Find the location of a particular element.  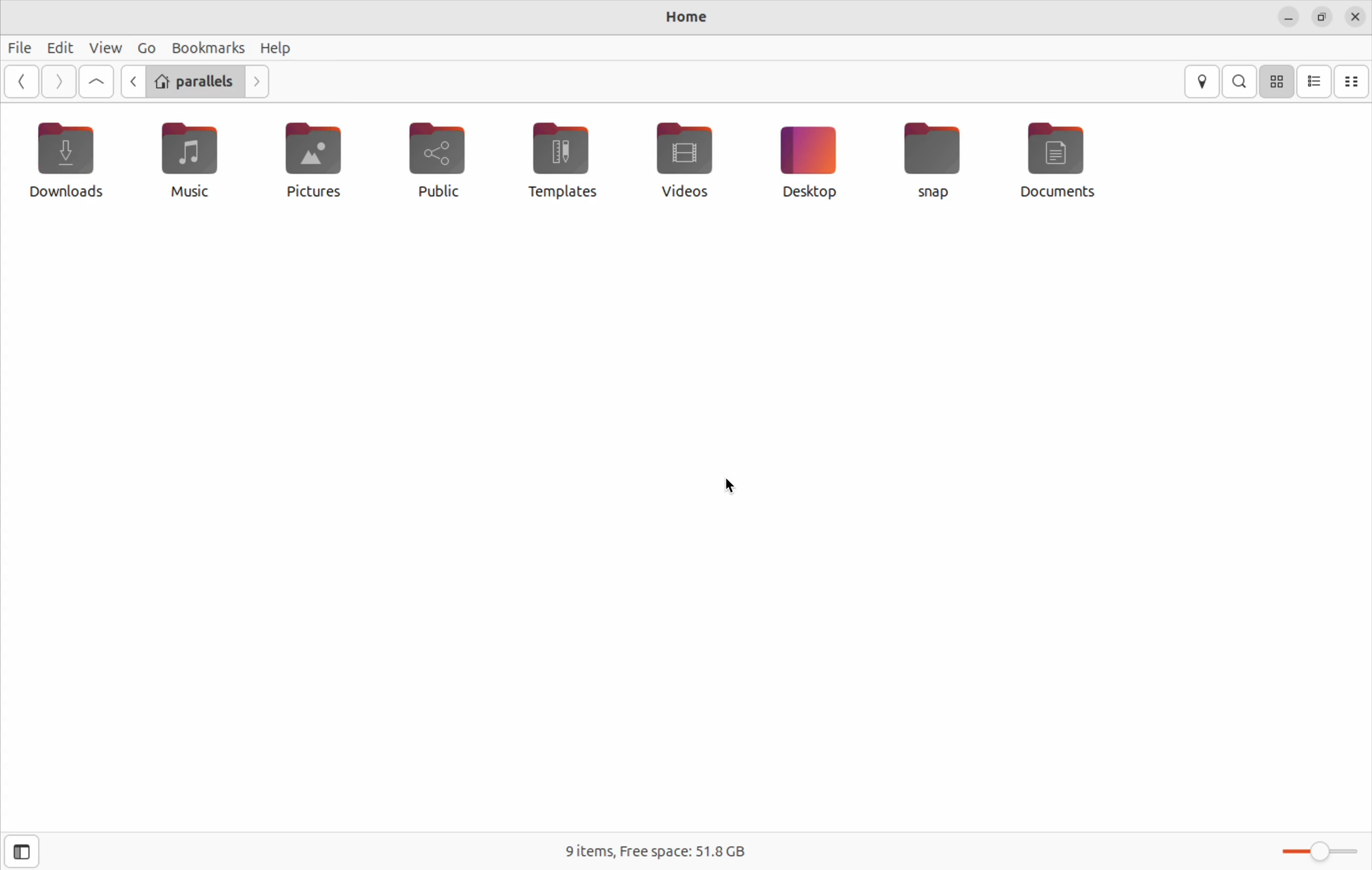

help is located at coordinates (277, 48).